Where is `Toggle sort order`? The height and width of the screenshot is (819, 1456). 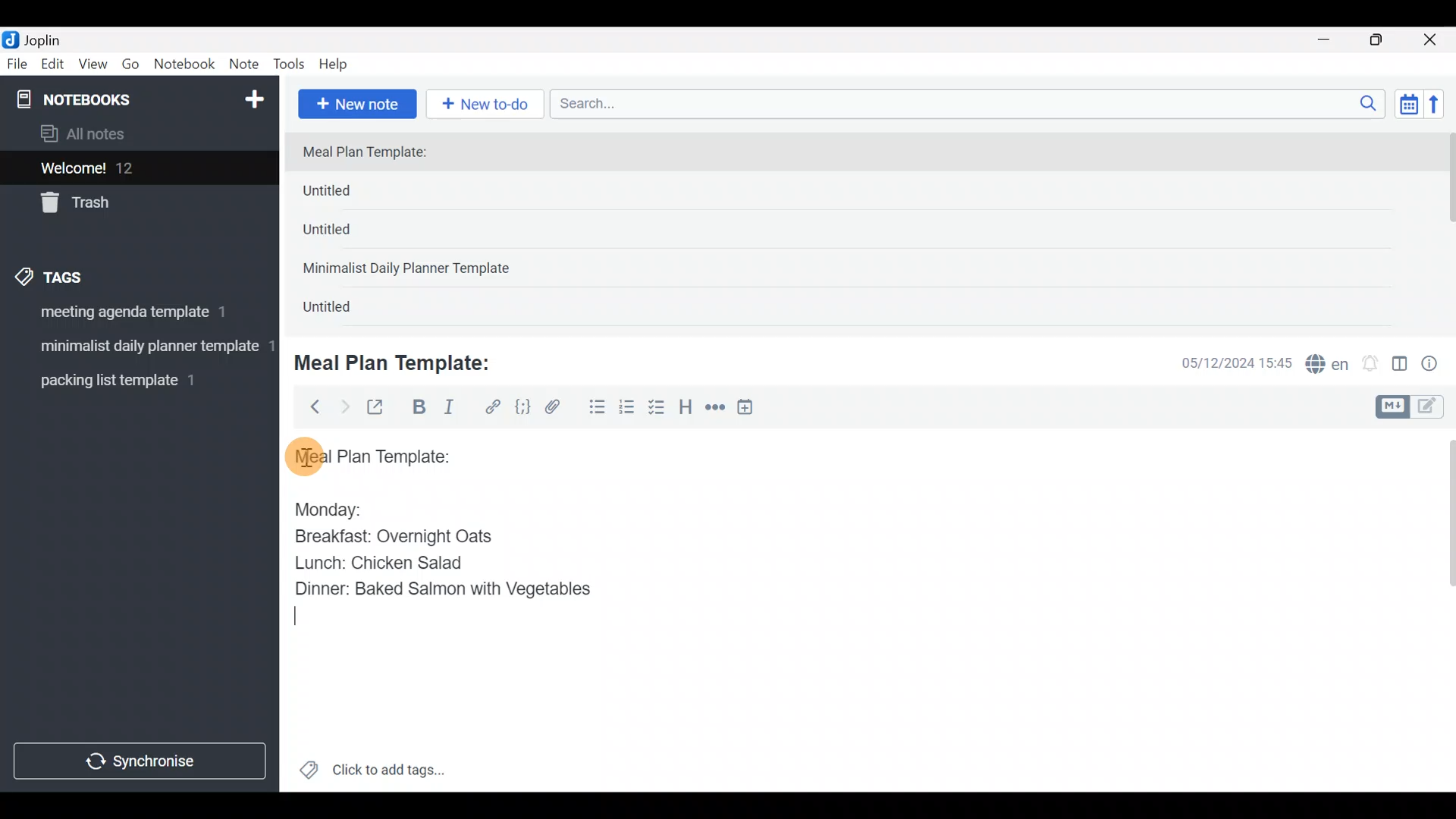
Toggle sort order is located at coordinates (1408, 105).